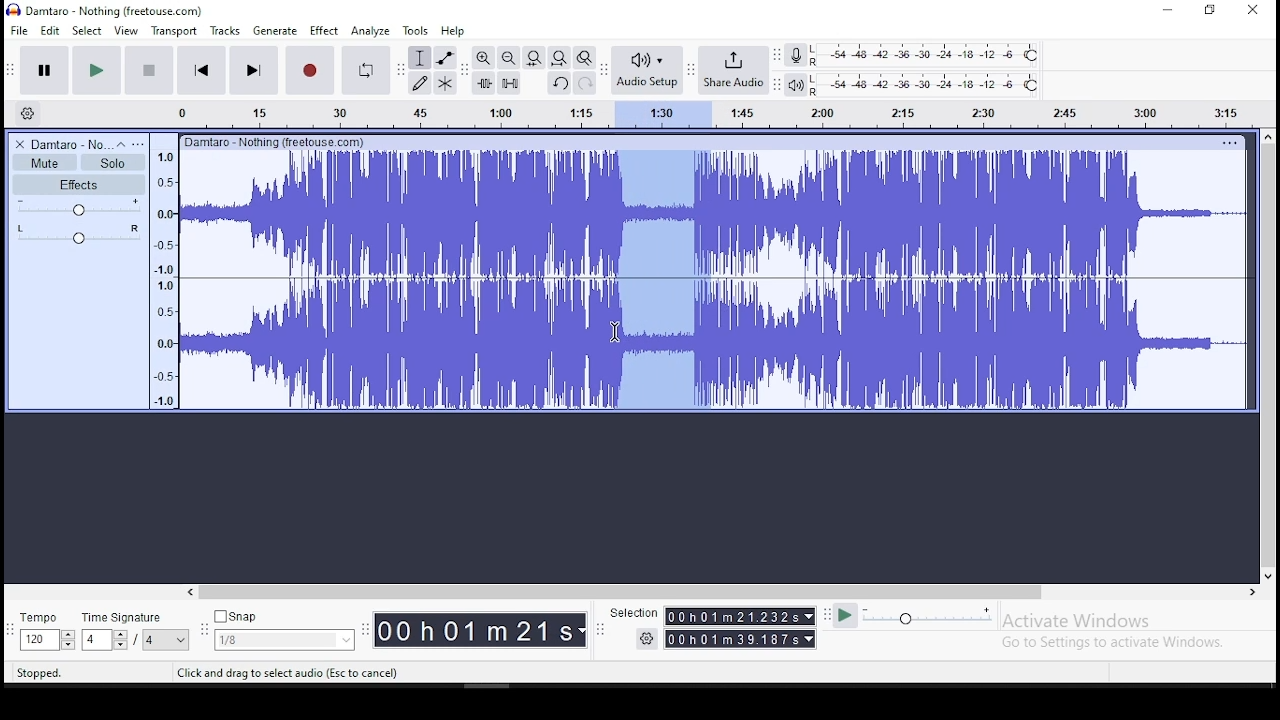 Image resolution: width=1280 pixels, height=720 pixels. What do you see at coordinates (811, 639) in the screenshot?
I see `drop down` at bounding box center [811, 639].